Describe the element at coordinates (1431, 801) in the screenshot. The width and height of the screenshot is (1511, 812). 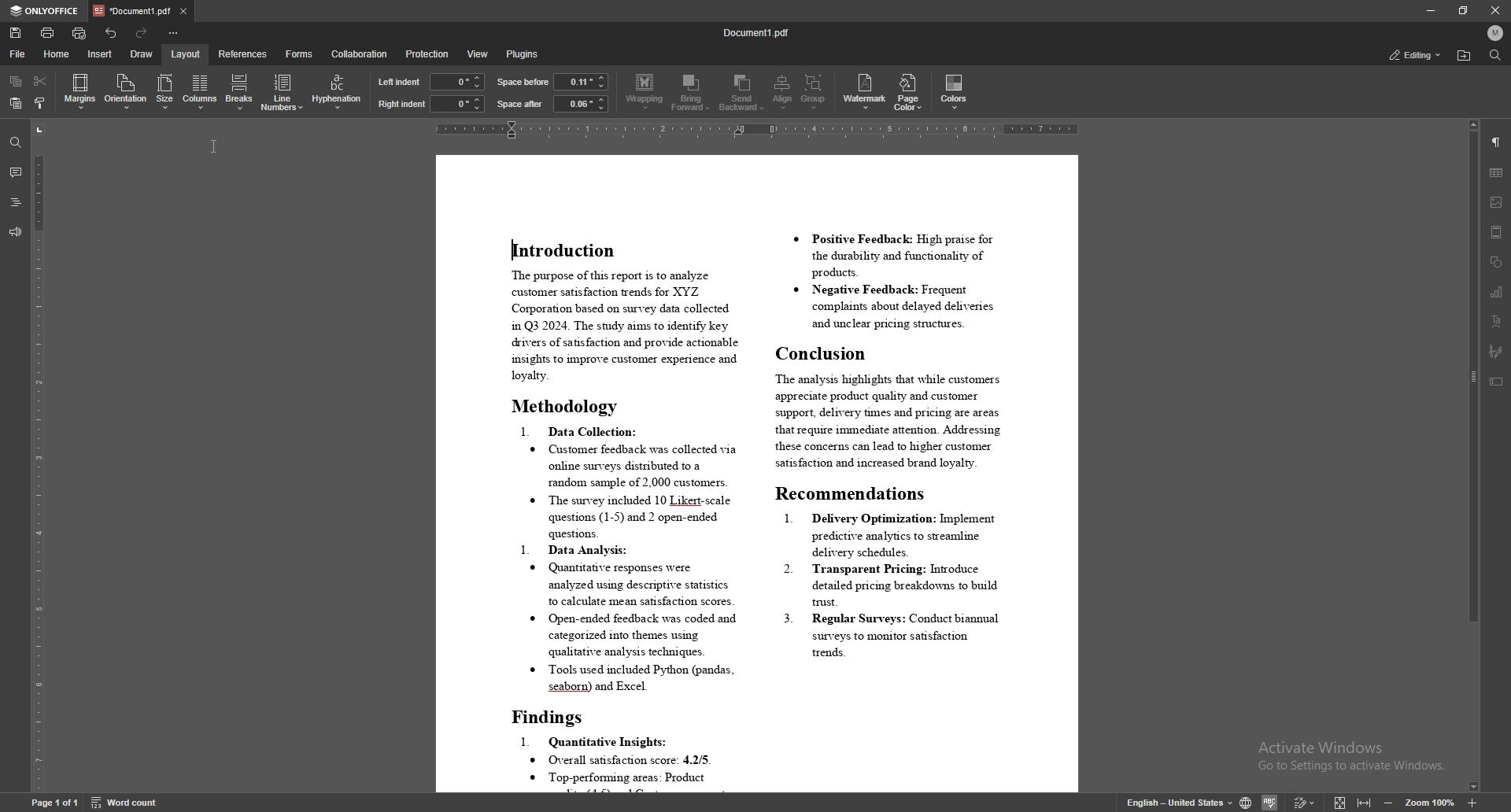
I see `zoom` at that location.